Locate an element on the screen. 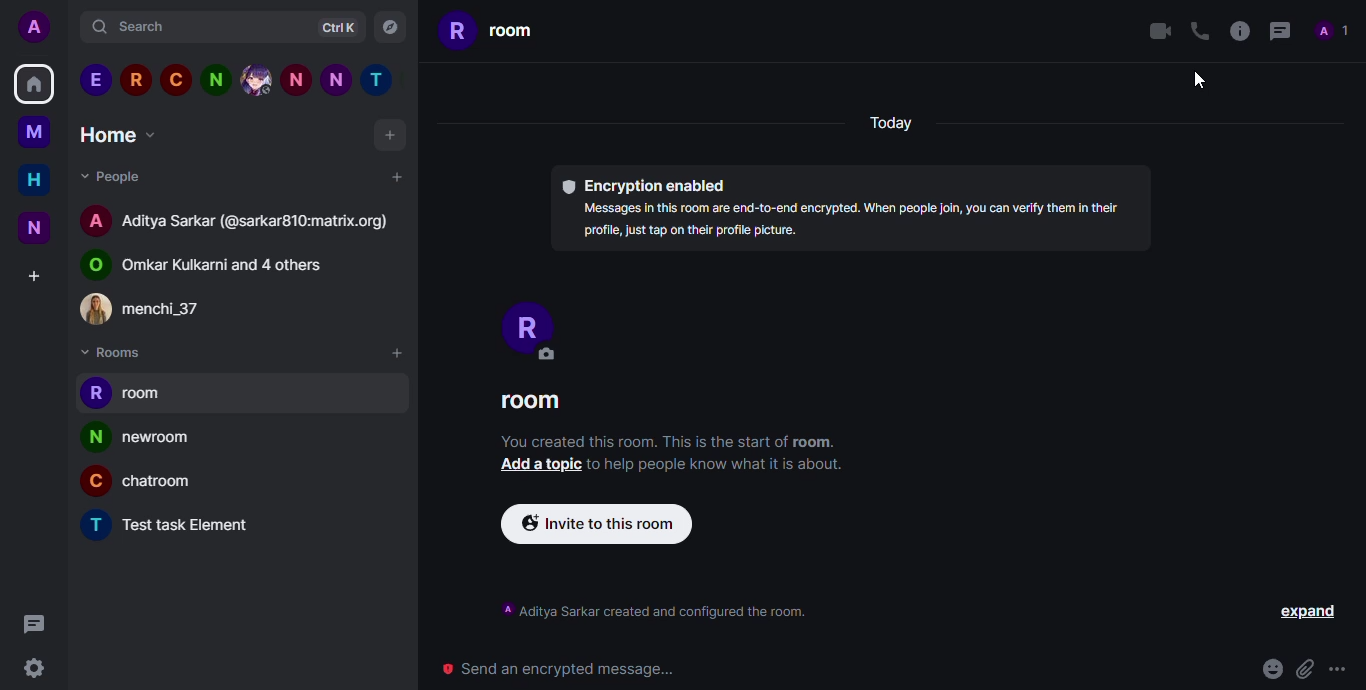  CtrlK is located at coordinates (340, 29).